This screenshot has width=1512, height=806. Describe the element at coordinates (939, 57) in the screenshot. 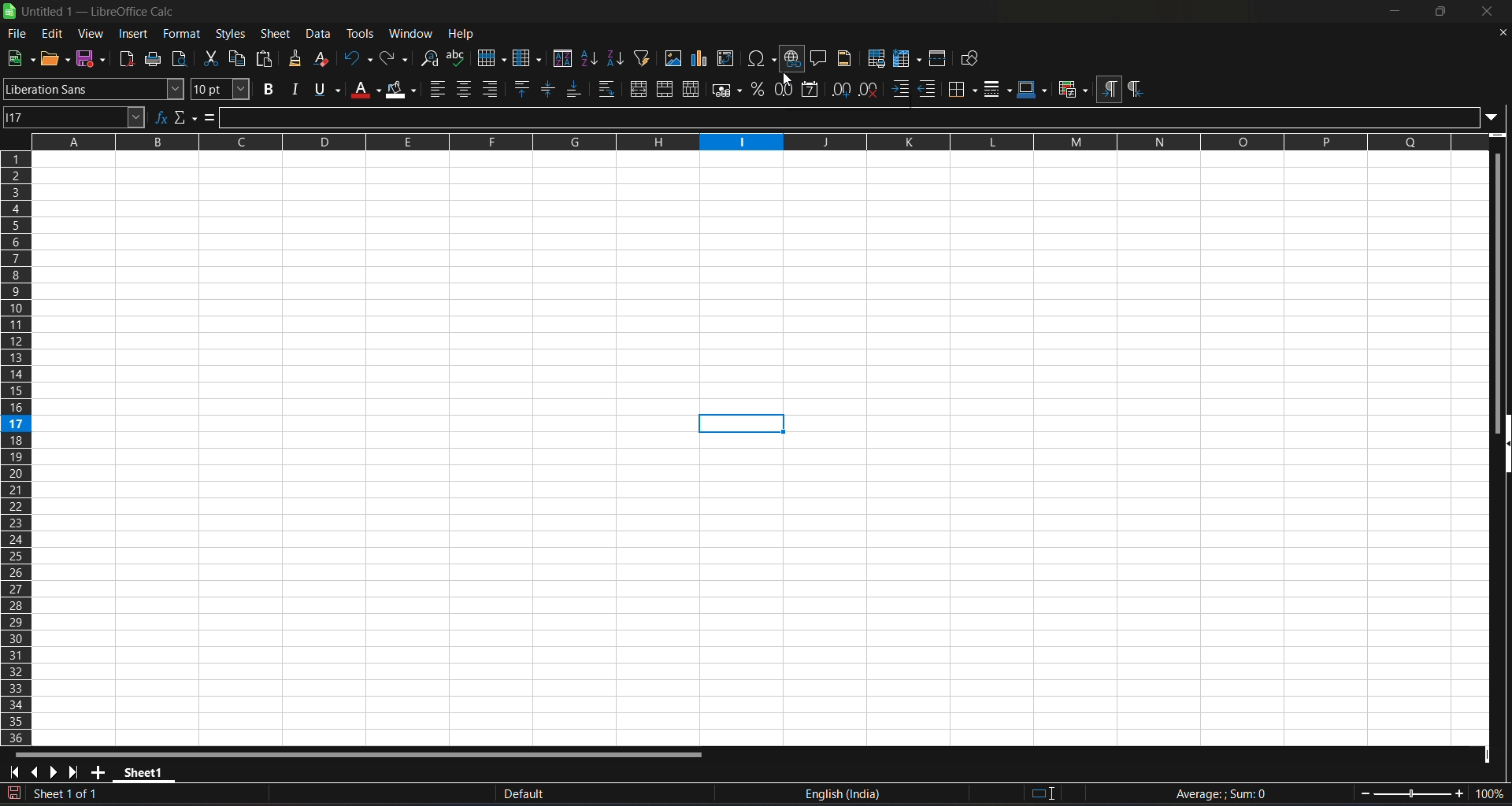

I see `split window` at that location.